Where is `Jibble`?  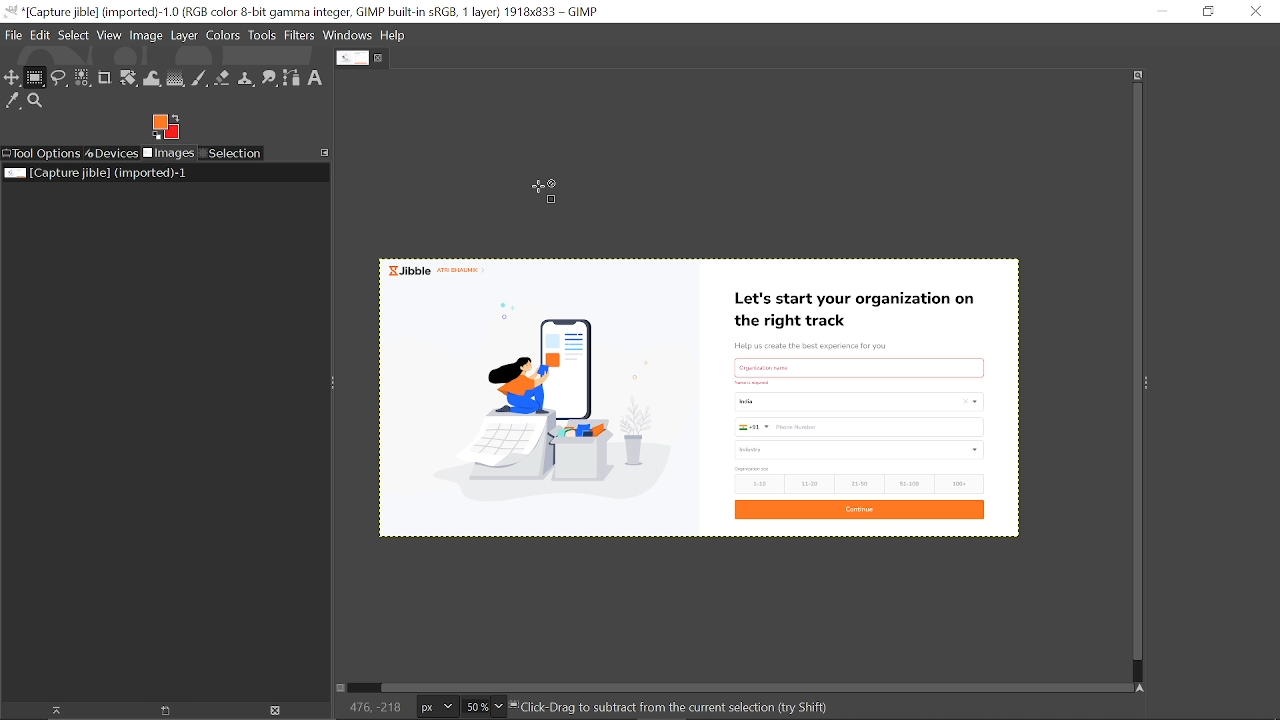
Jibble is located at coordinates (442, 270).